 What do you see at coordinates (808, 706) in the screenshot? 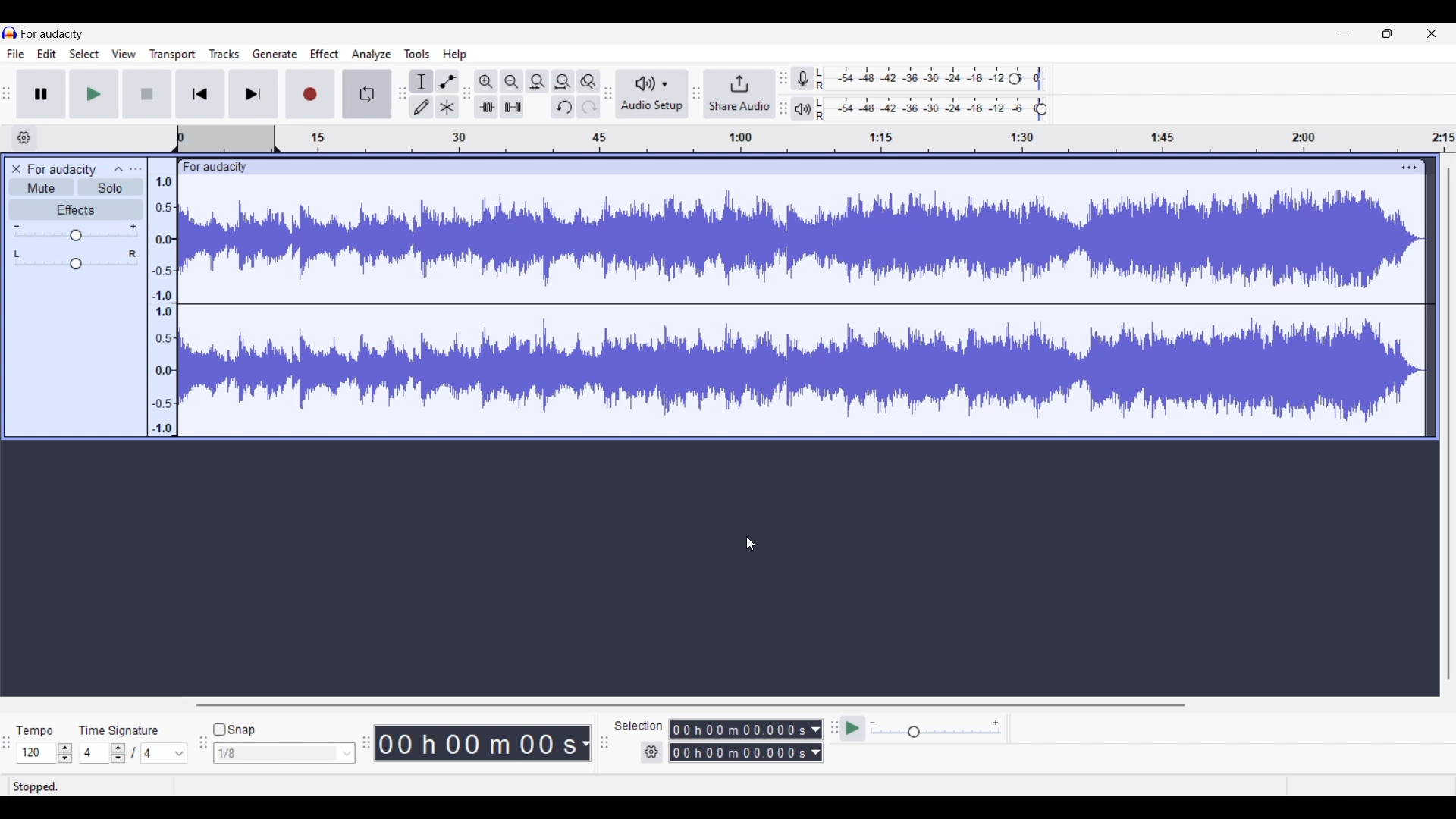
I see `Horizontal slide bar` at bounding box center [808, 706].